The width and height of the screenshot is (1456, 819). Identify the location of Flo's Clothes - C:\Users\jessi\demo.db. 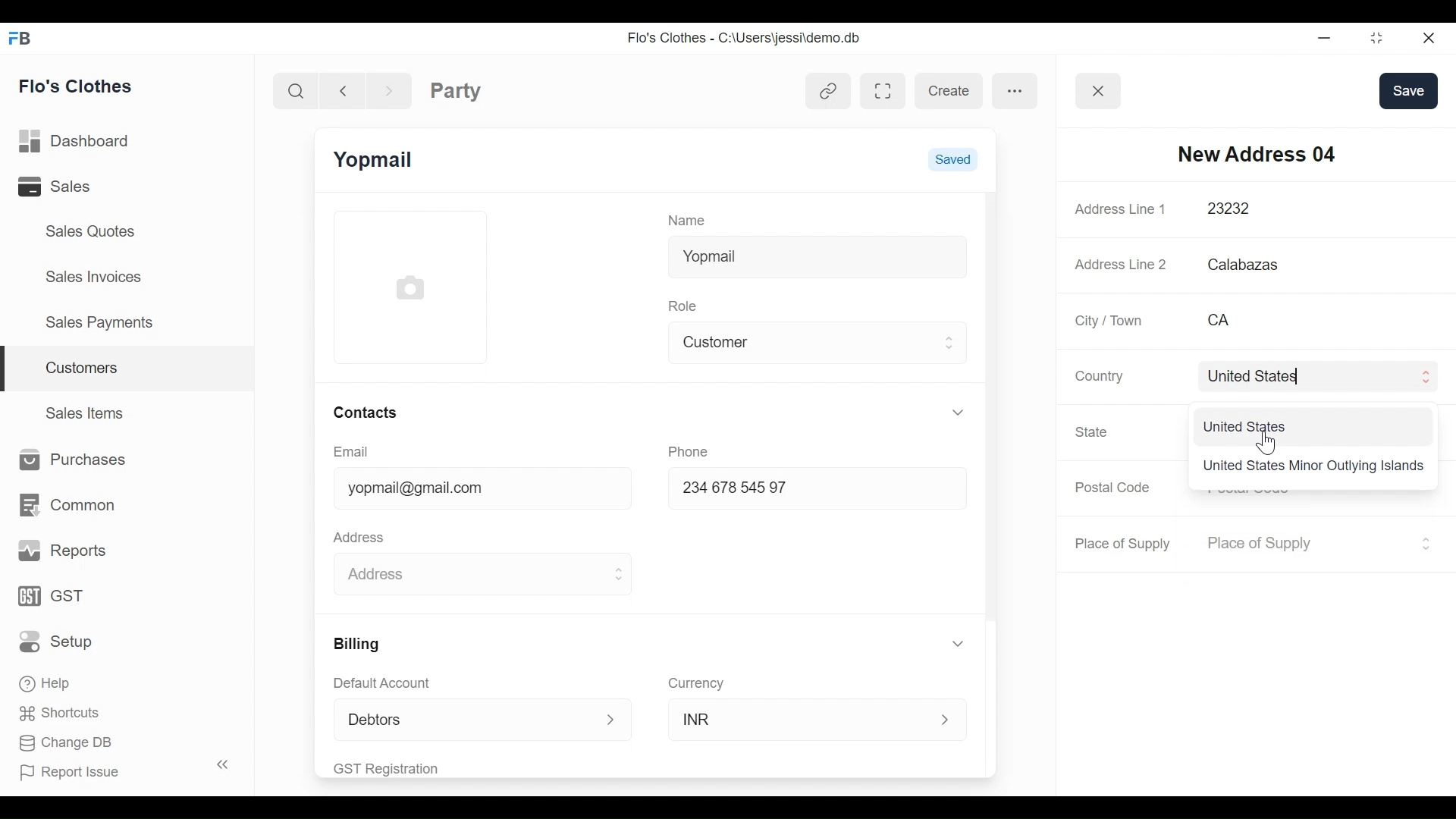
(746, 39).